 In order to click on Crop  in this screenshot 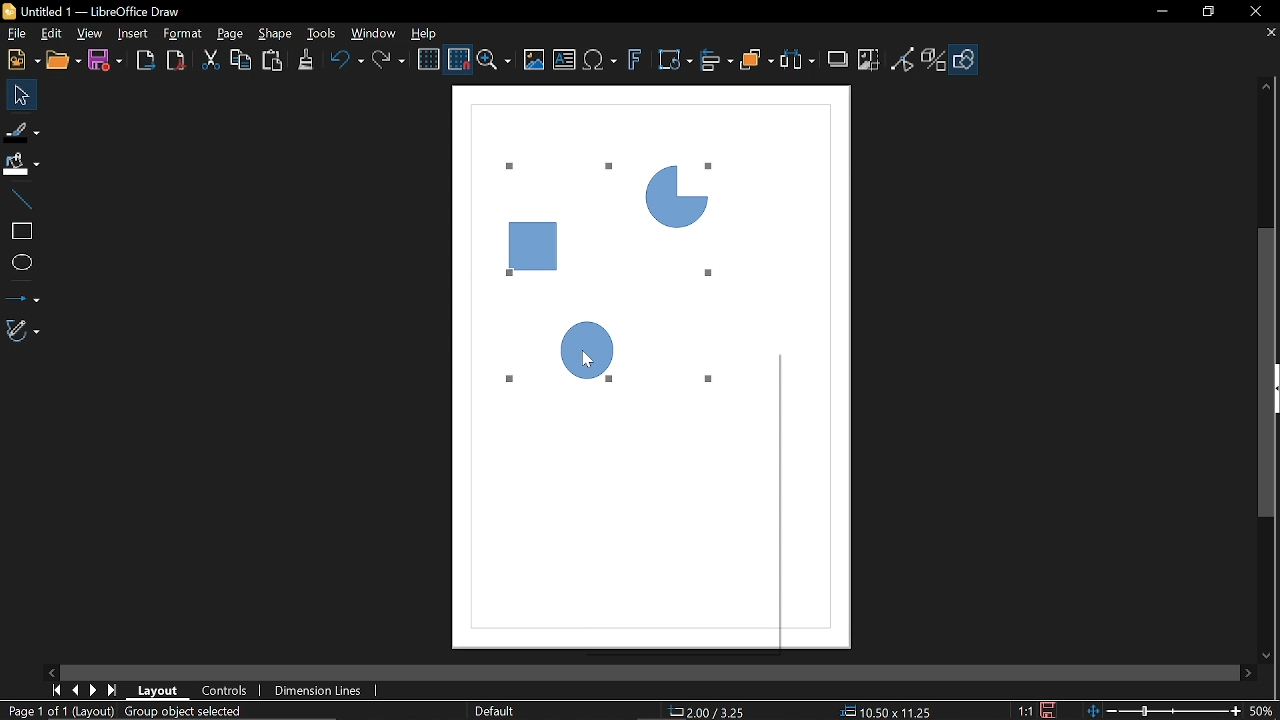, I will do `click(869, 60)`.